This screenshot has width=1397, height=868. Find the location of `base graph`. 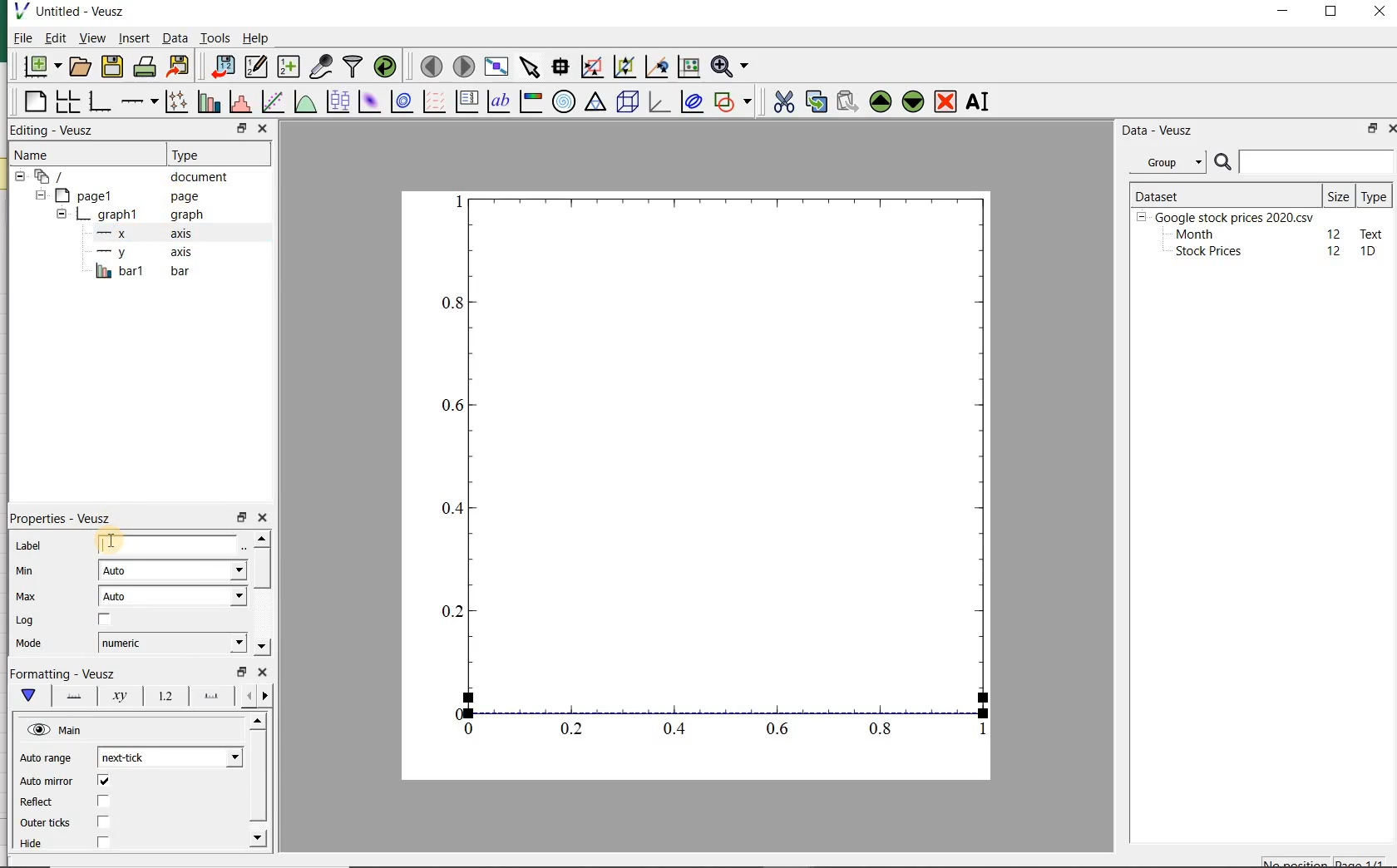

base graph is located at coordinates (99, 102).